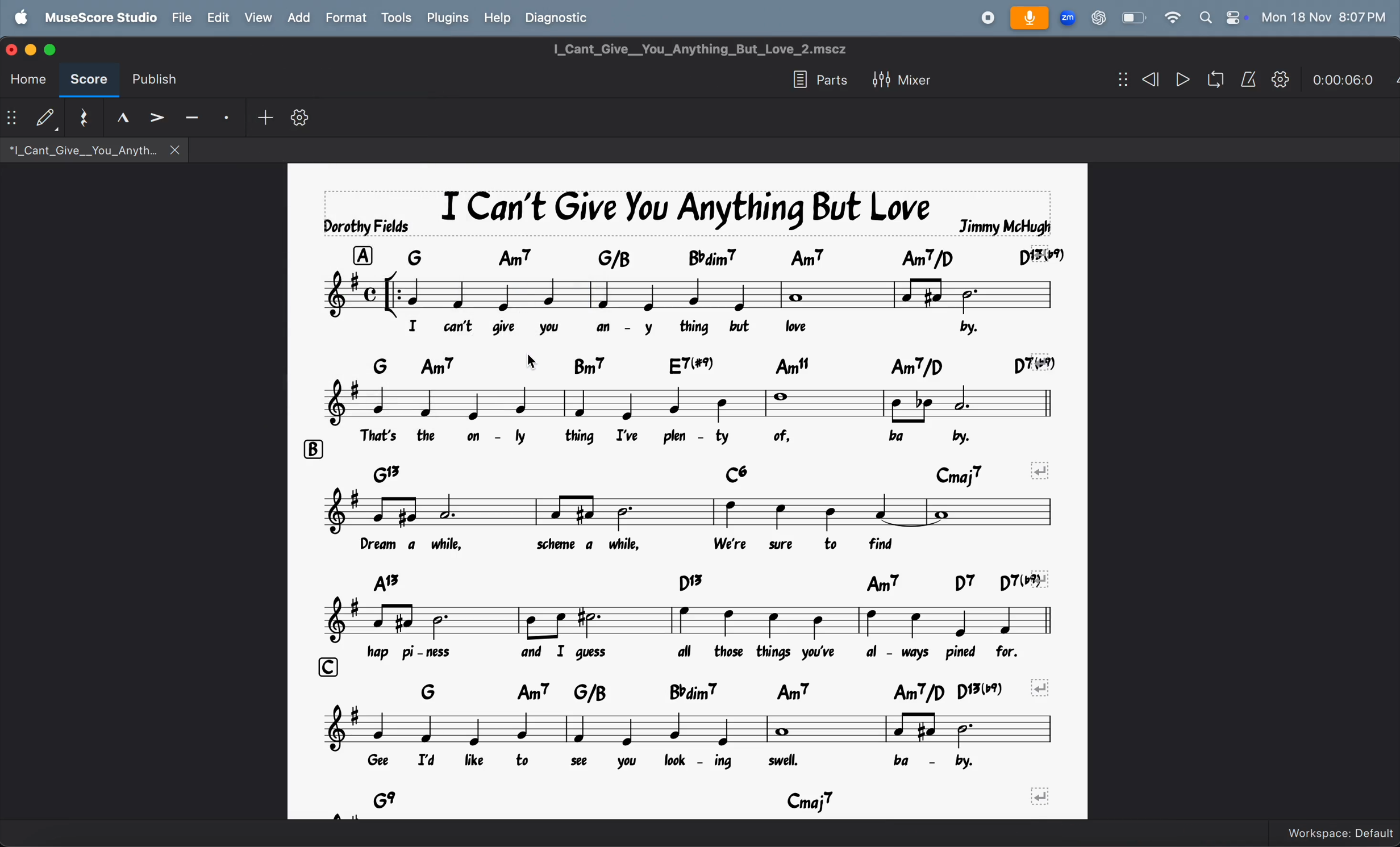  Describe the element at coordinates (346, 18) in the screenshot. I see `format` at that location.